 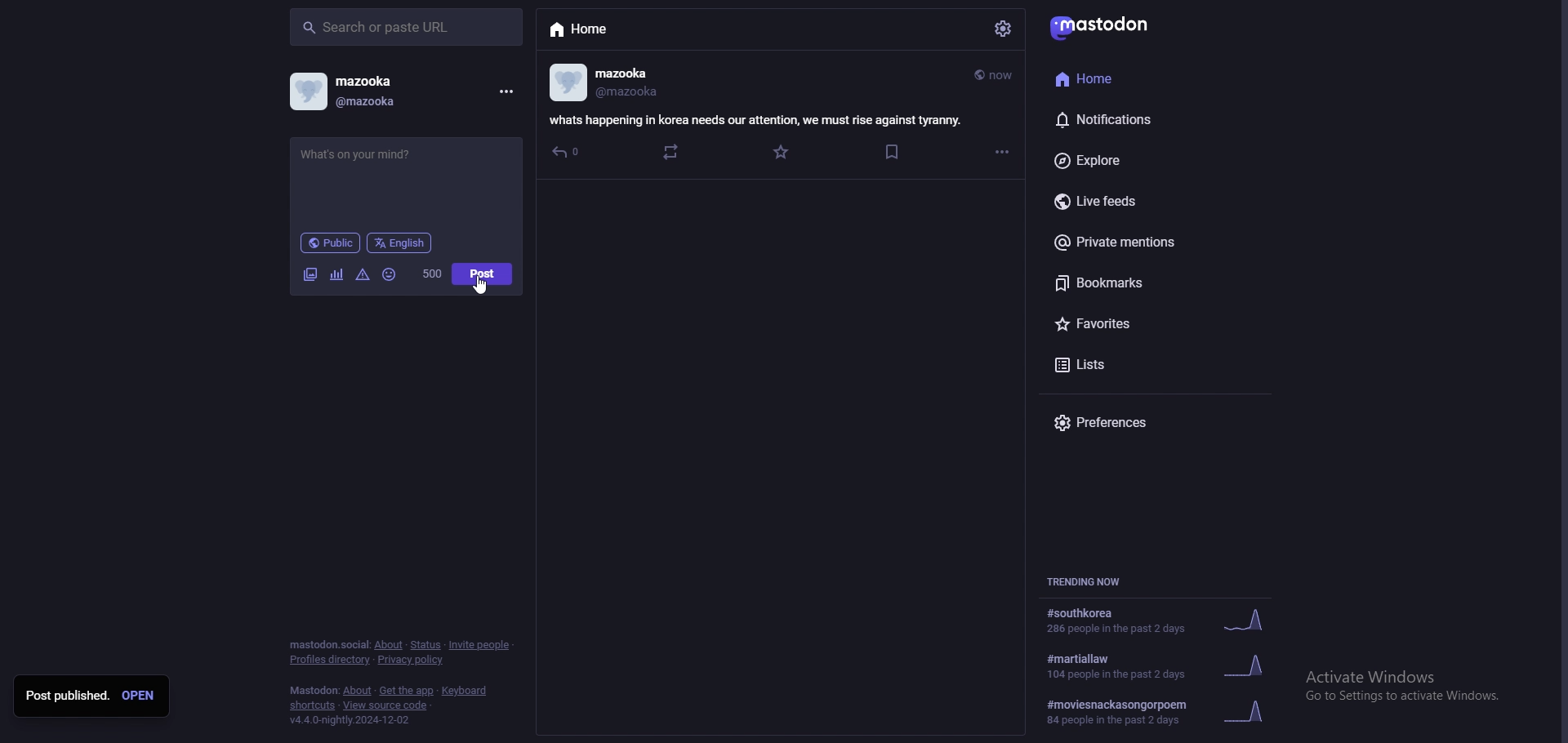 What do you see at coordinates (568, 153) in the screenshot?
I see `reply` at bounding box center [568, 153].